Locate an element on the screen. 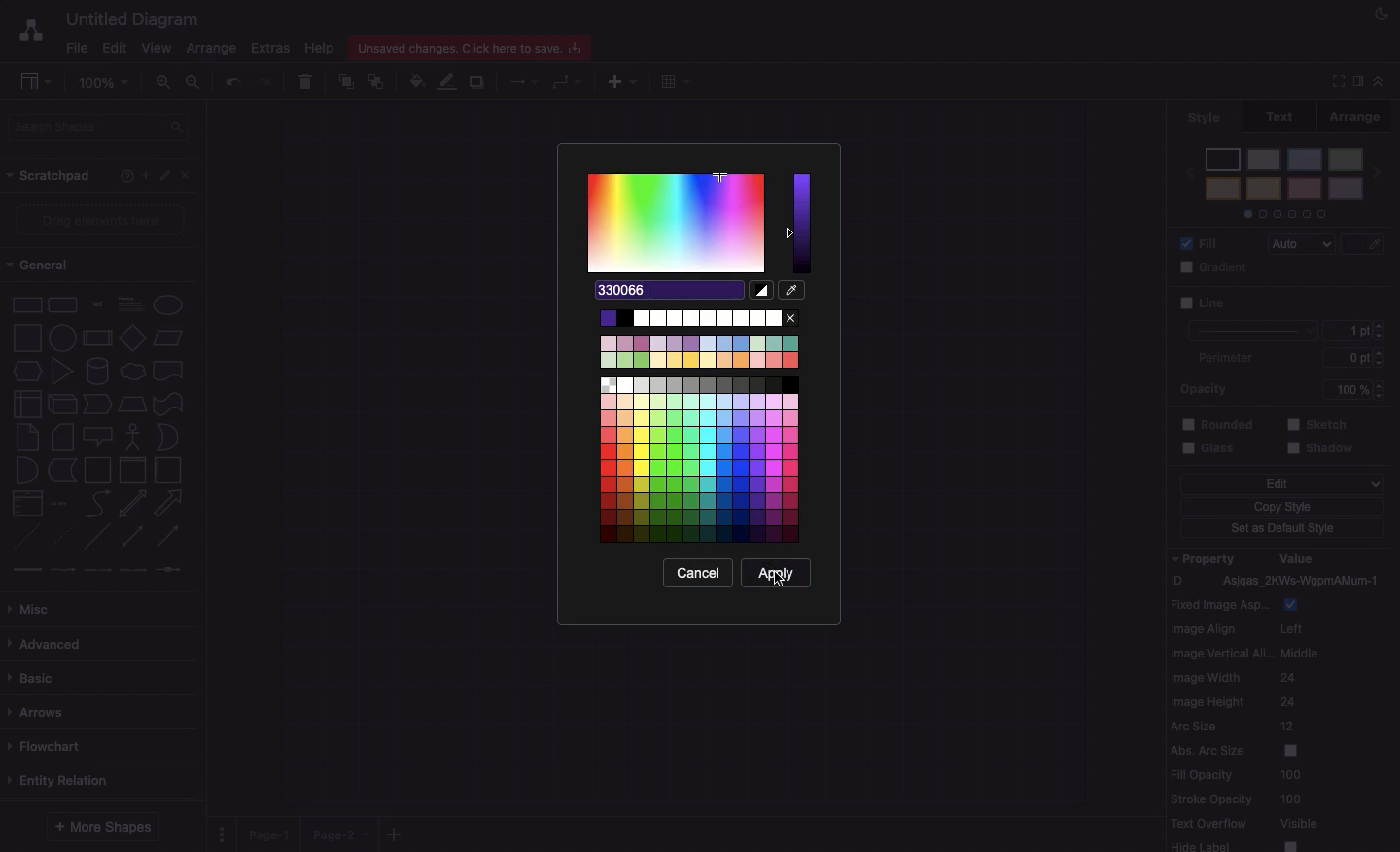 The width and height of the screenshot is (1400, 852). cloud is located at coordinates (131, 370).